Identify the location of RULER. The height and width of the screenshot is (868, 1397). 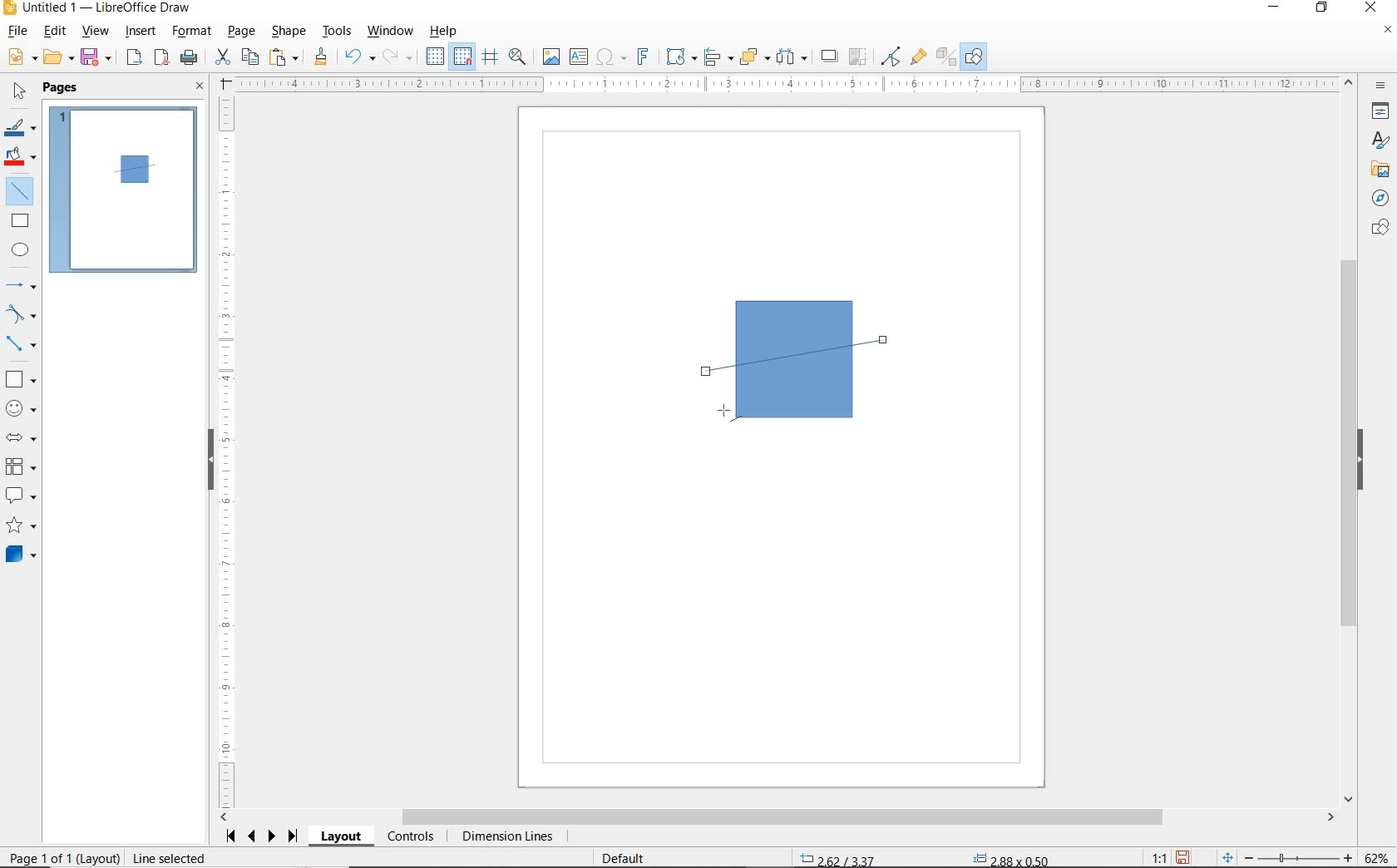
(787, 84).